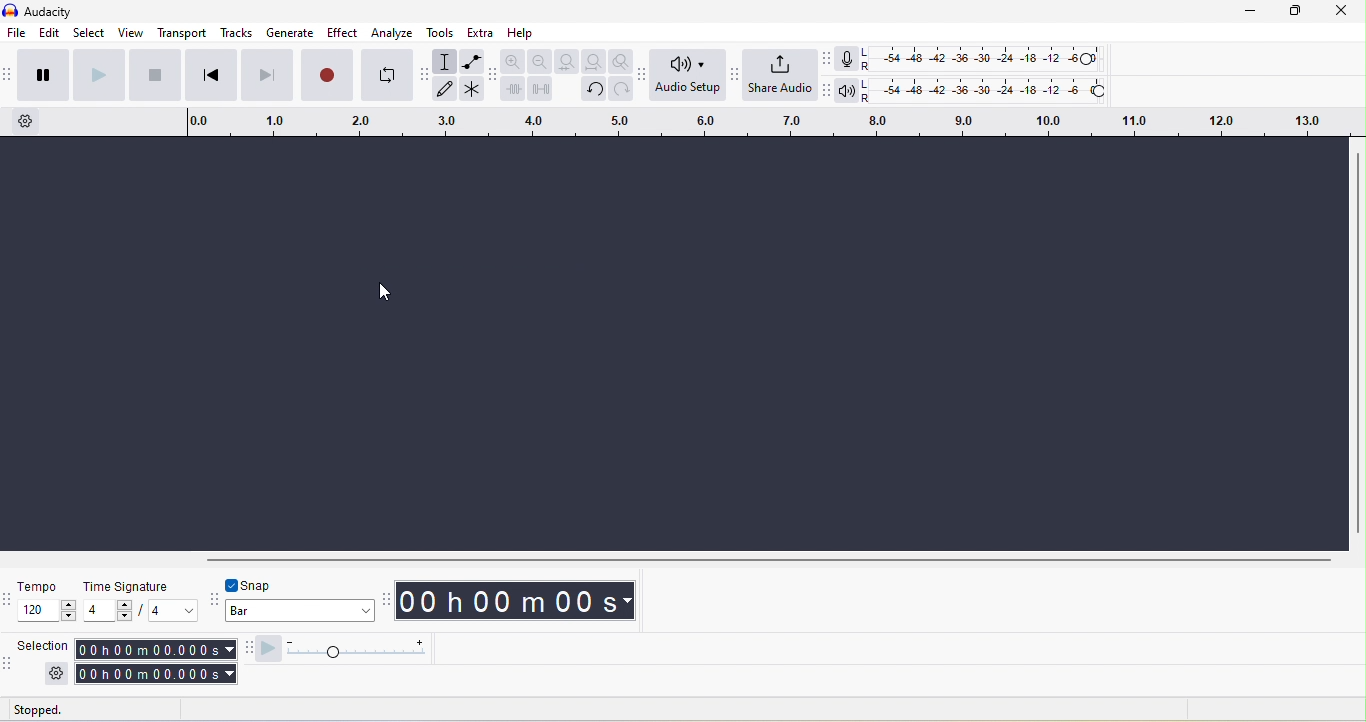 The width and height of the screenshot is (1366, 722). What do you see at coordinates (50, 33) in the screenshot?
I see `edit` at bounding box center [50, 33].